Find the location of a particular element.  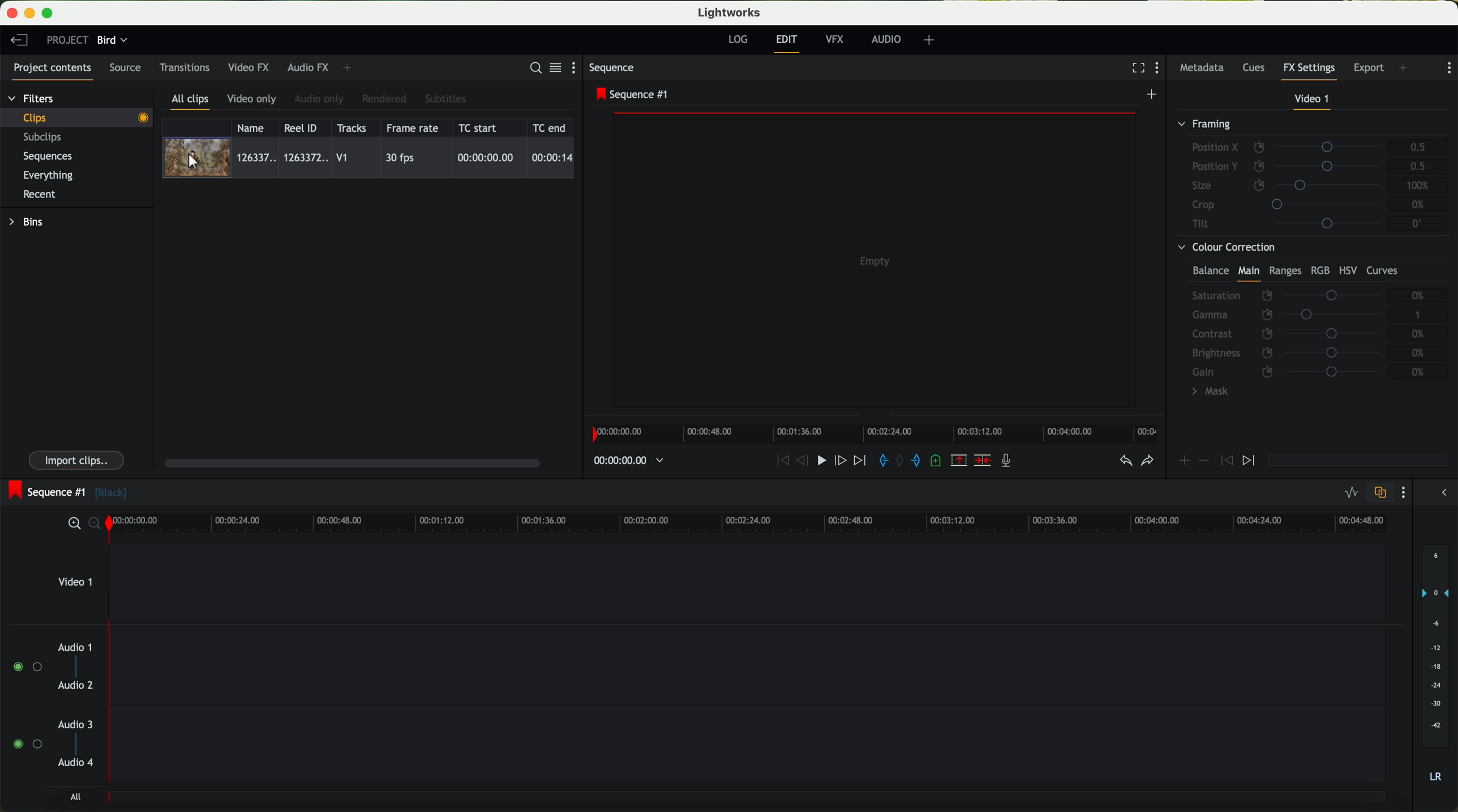

project contents is located at coordinates (53, 71).